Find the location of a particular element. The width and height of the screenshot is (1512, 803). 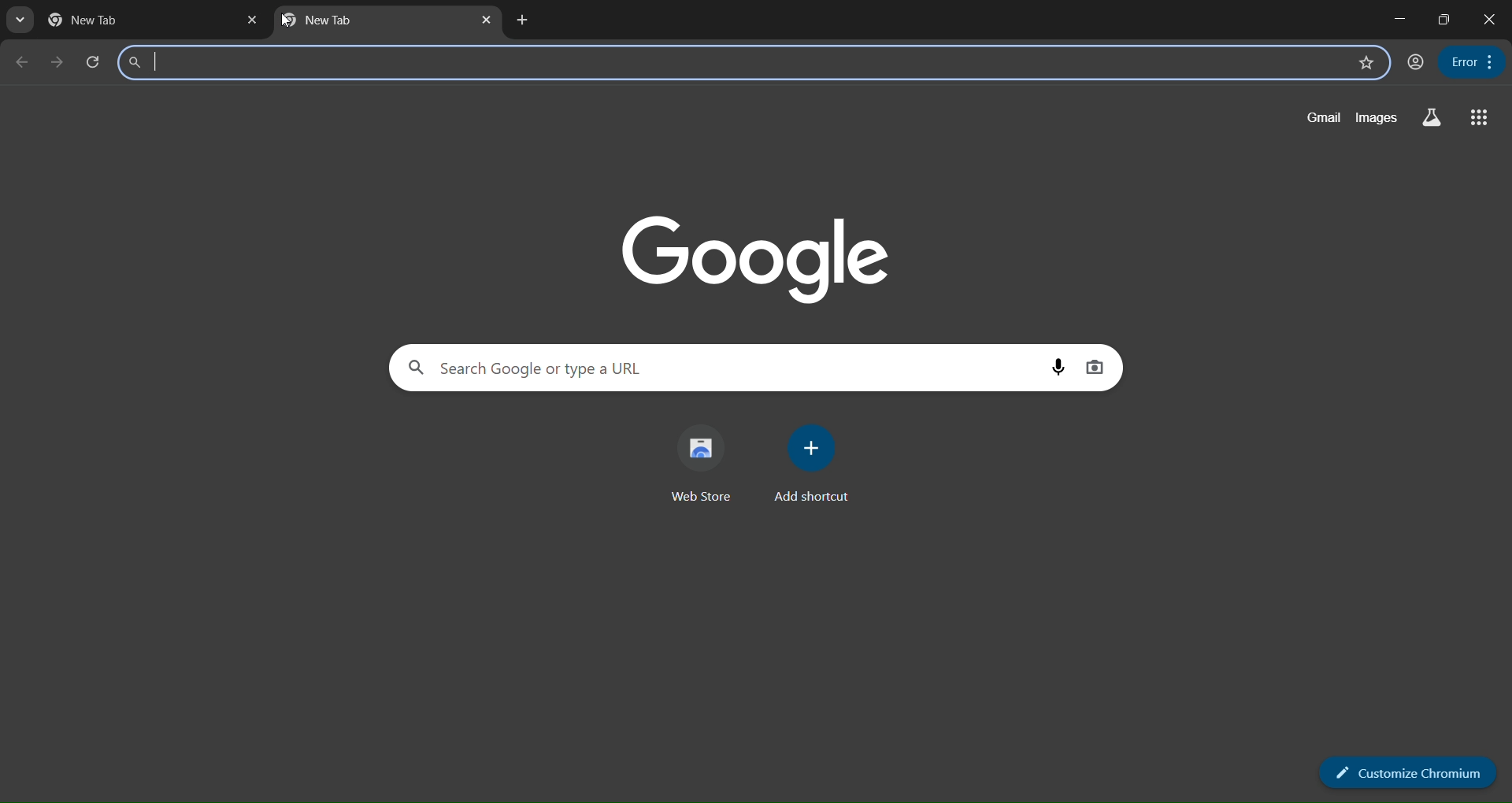

close is located at coordinates (1489, 20).